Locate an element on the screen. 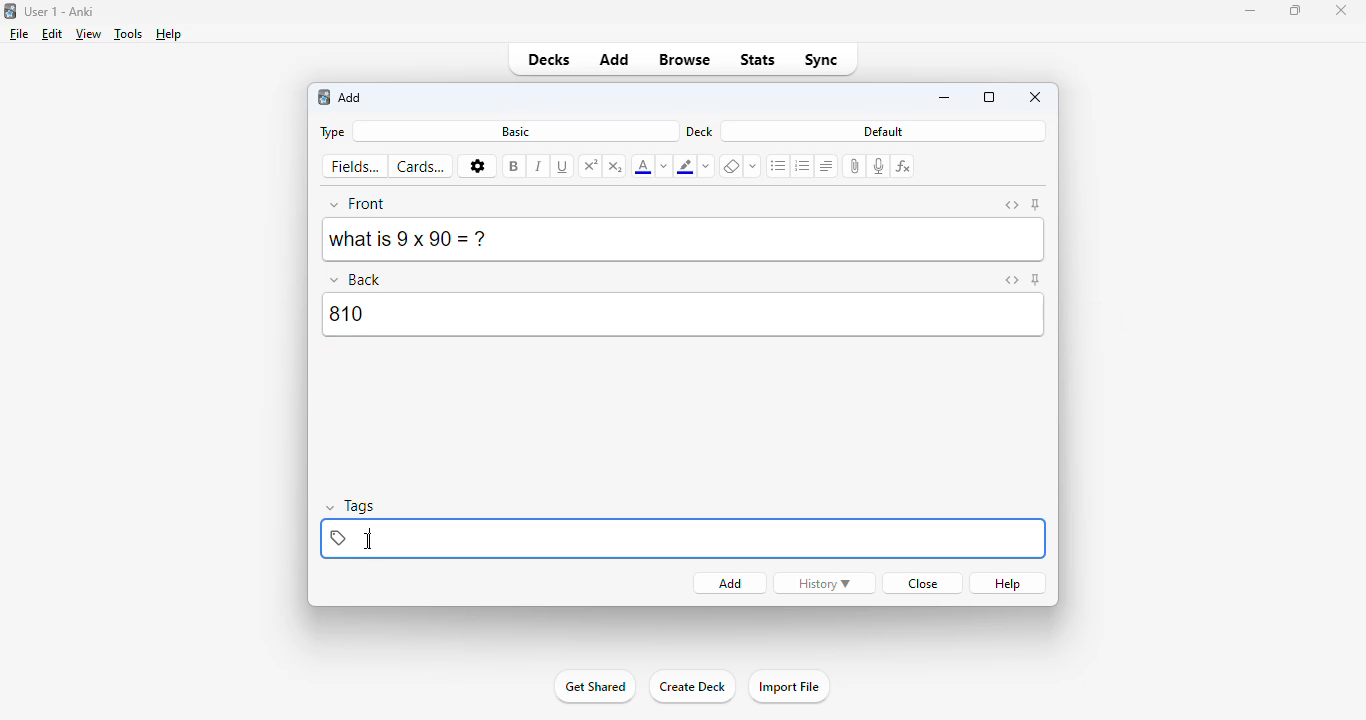 Image resolution: width=1366 pixels, height=720 pixels. decks is located at coordinates (548, 59).